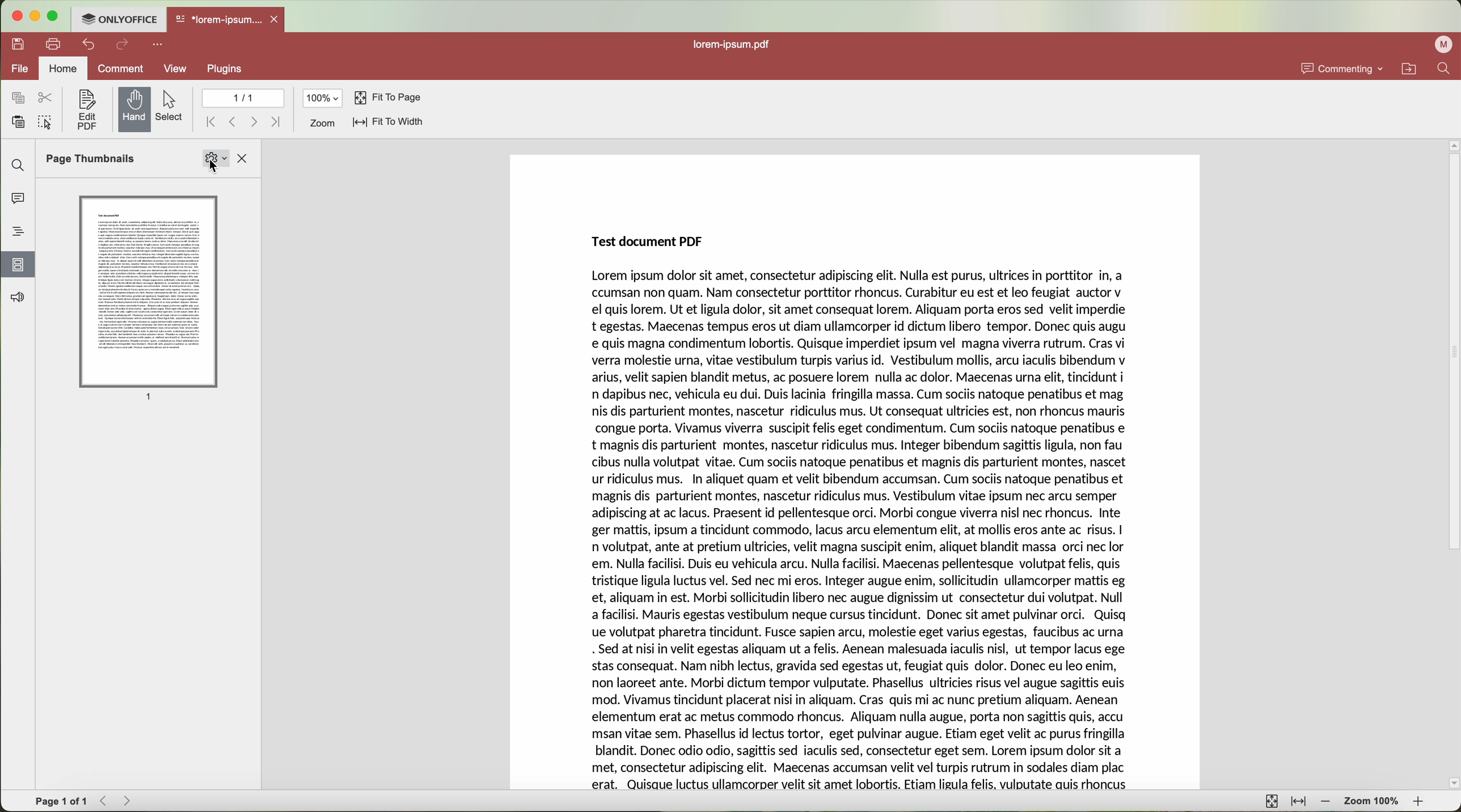 The image size is (1461, 812). Describe the element at coordinates (14, 122) in the screenshot. I see `paste` at that location.